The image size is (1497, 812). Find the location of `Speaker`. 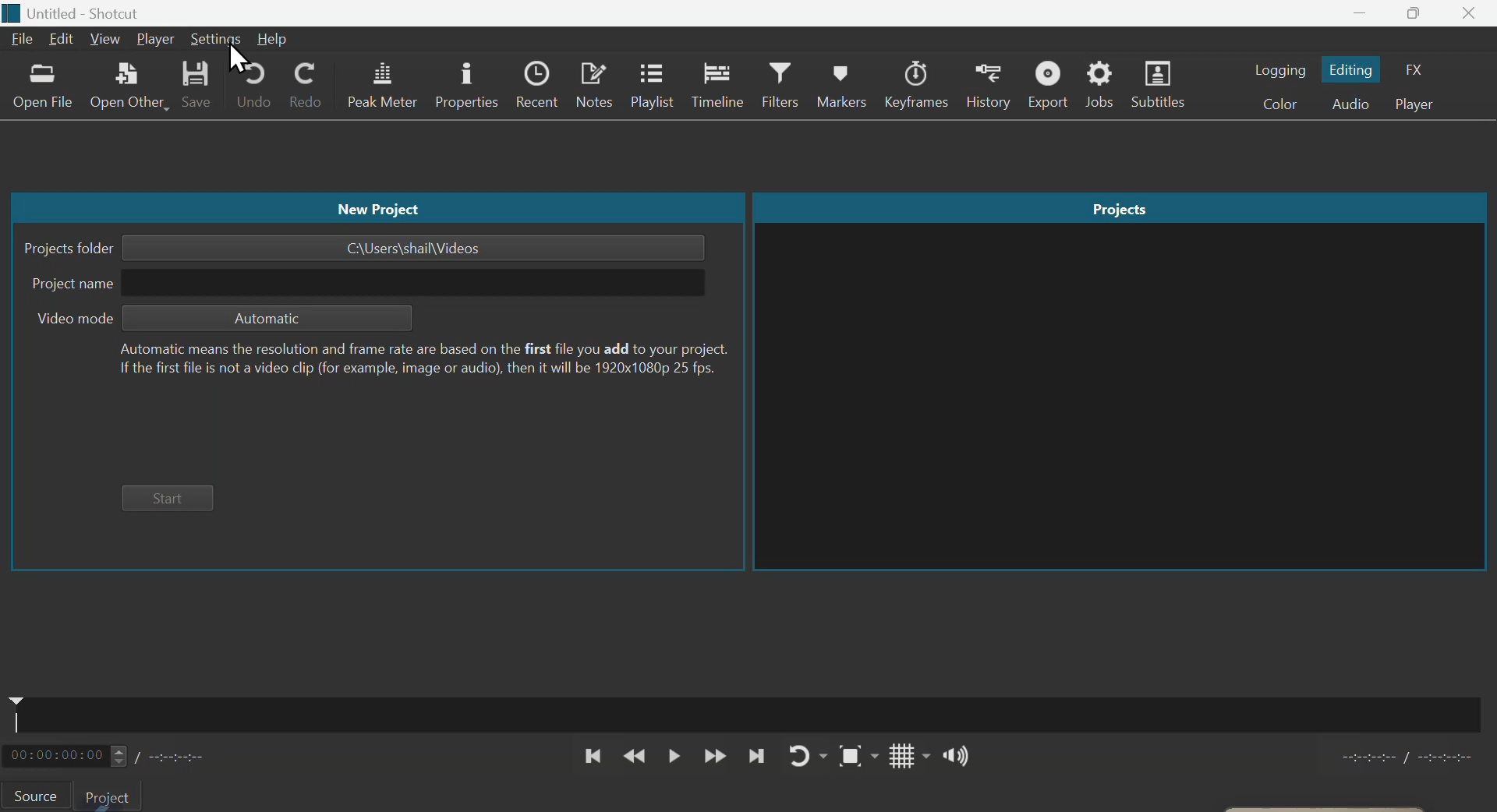

Speaker is located at coordinates (947, 757).